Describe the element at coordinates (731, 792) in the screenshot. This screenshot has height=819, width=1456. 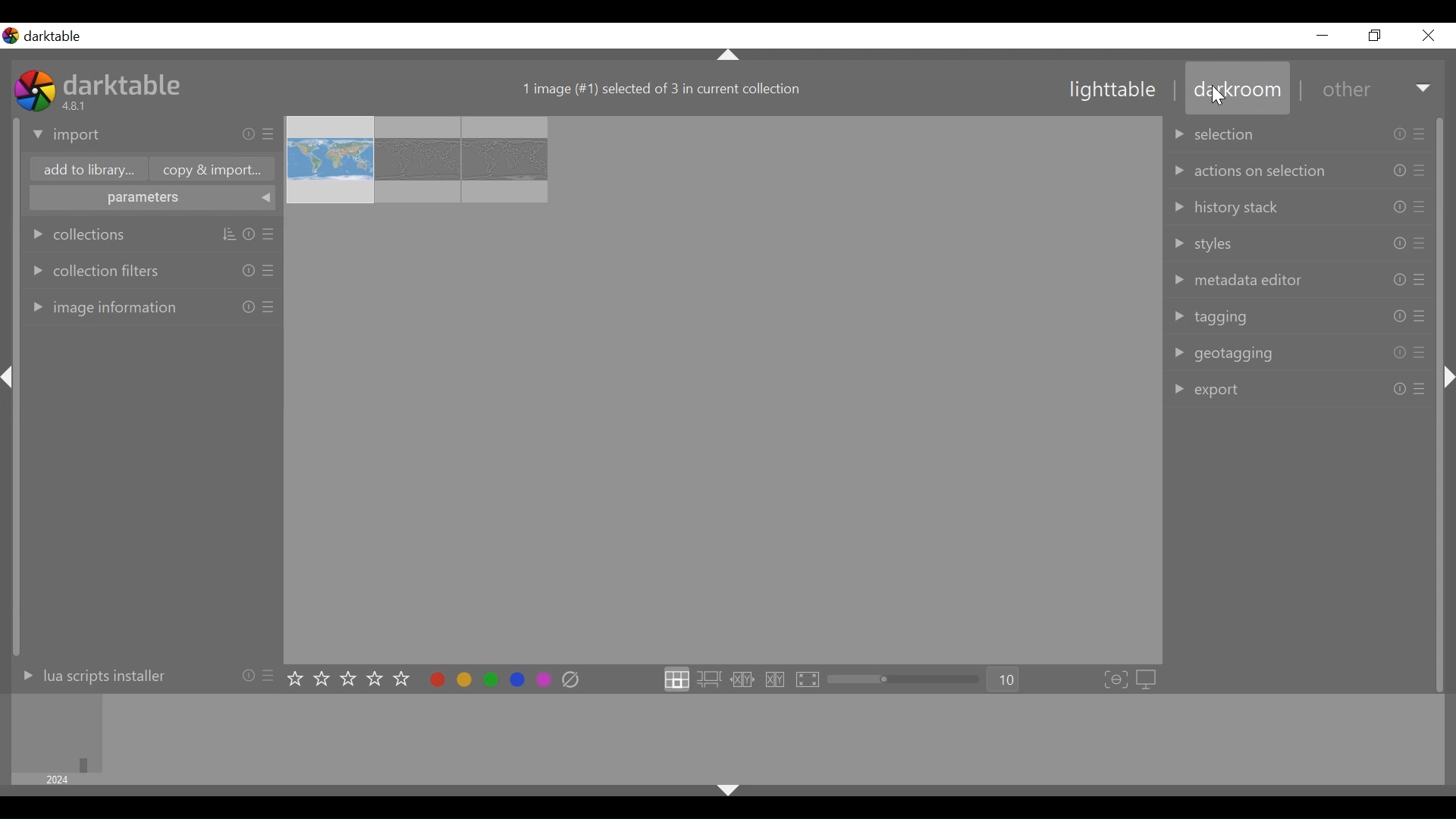
I see `` at that location.